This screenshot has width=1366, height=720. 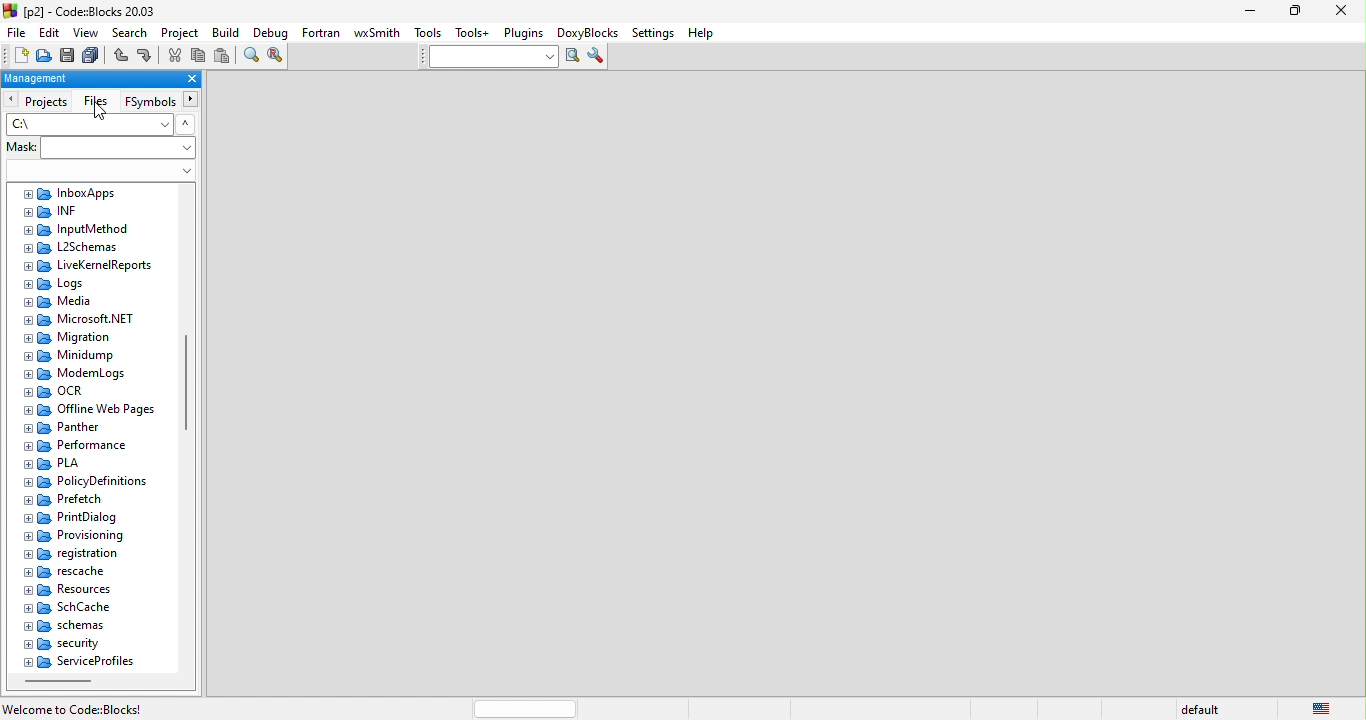 I want to click on file, so click(x=18, y=33).